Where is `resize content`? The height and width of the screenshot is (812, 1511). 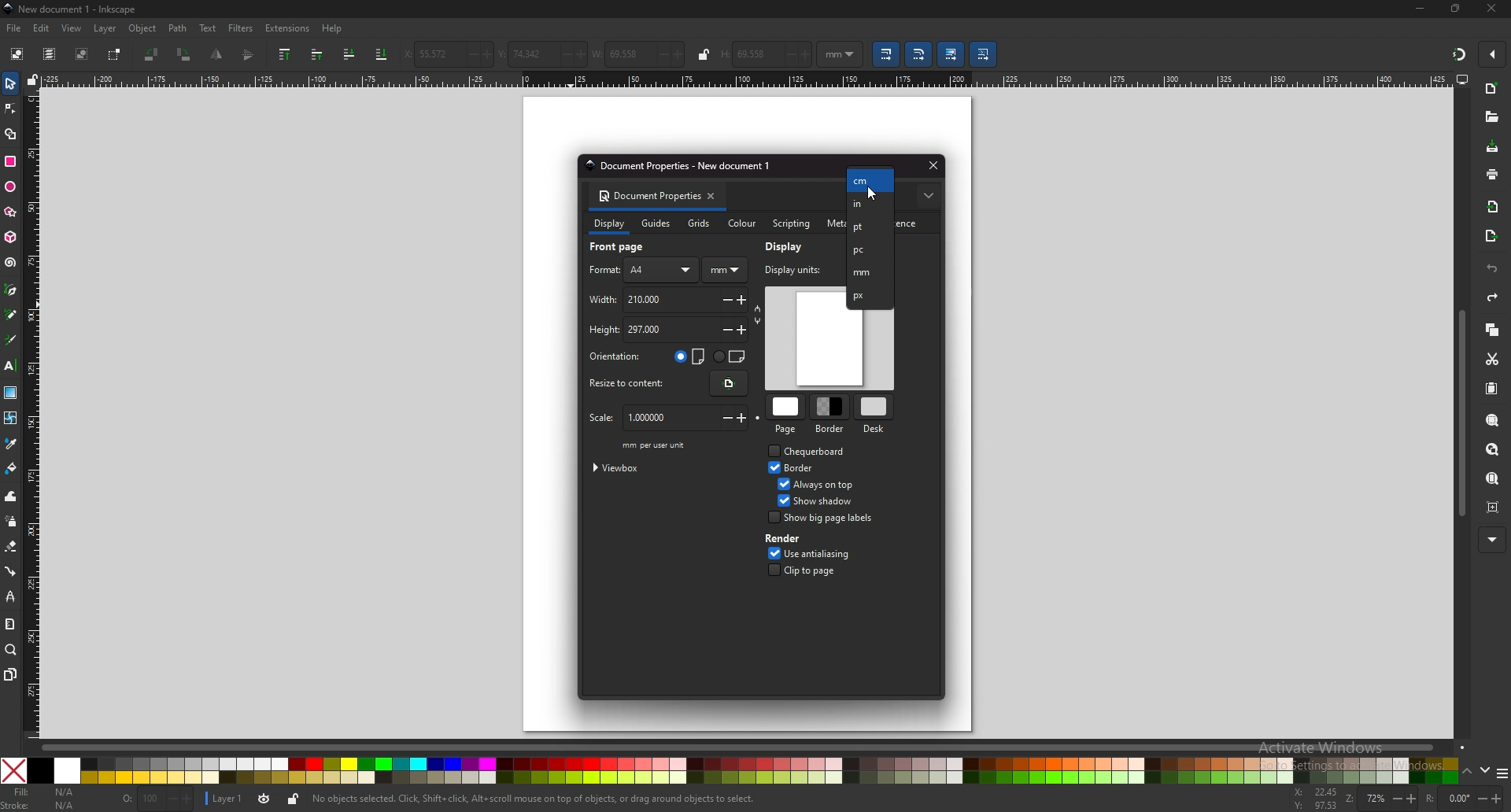
resize content is located at coordinates (729, 384).